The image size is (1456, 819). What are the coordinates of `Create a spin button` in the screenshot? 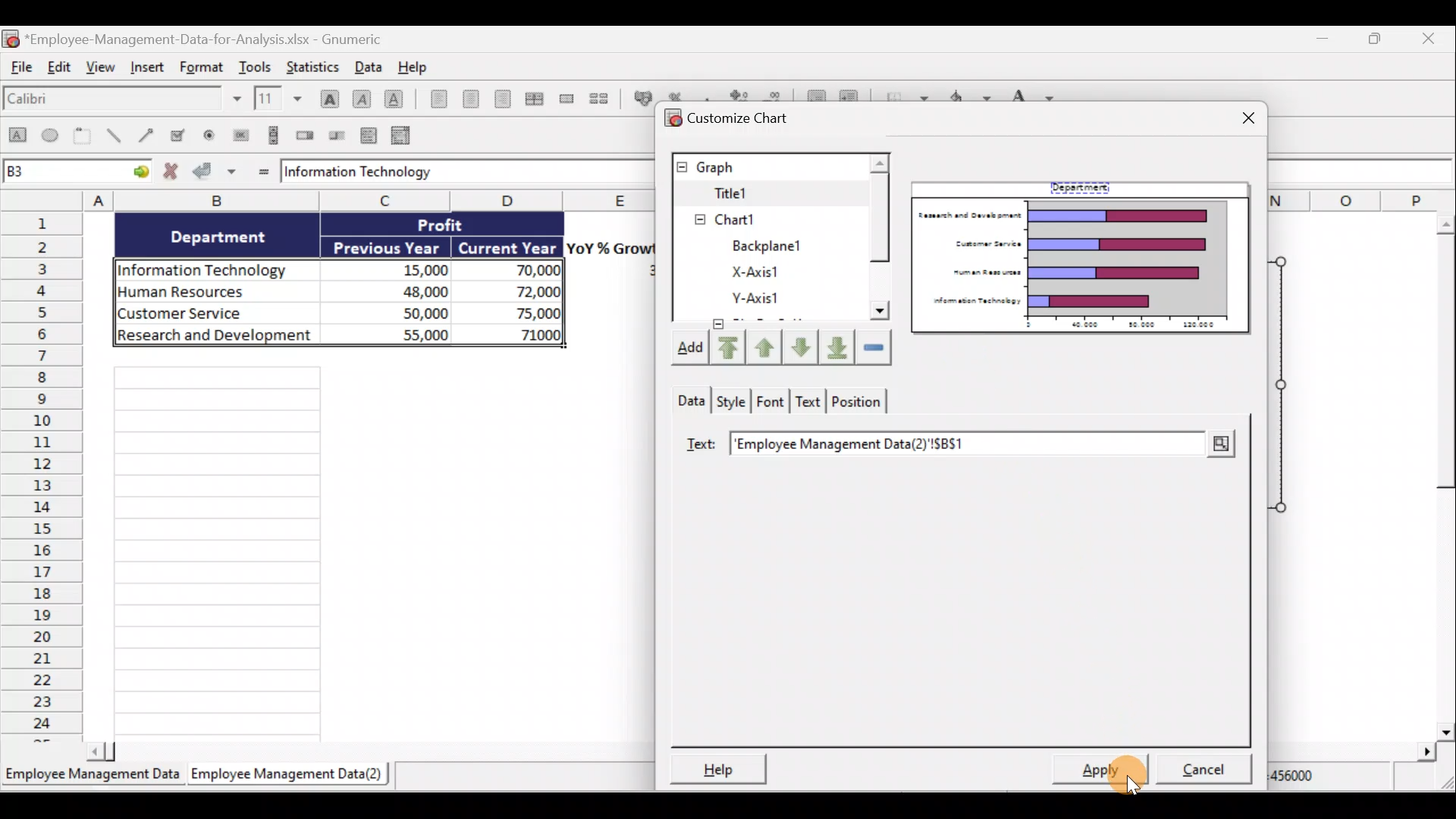 It's located at (306, 136).